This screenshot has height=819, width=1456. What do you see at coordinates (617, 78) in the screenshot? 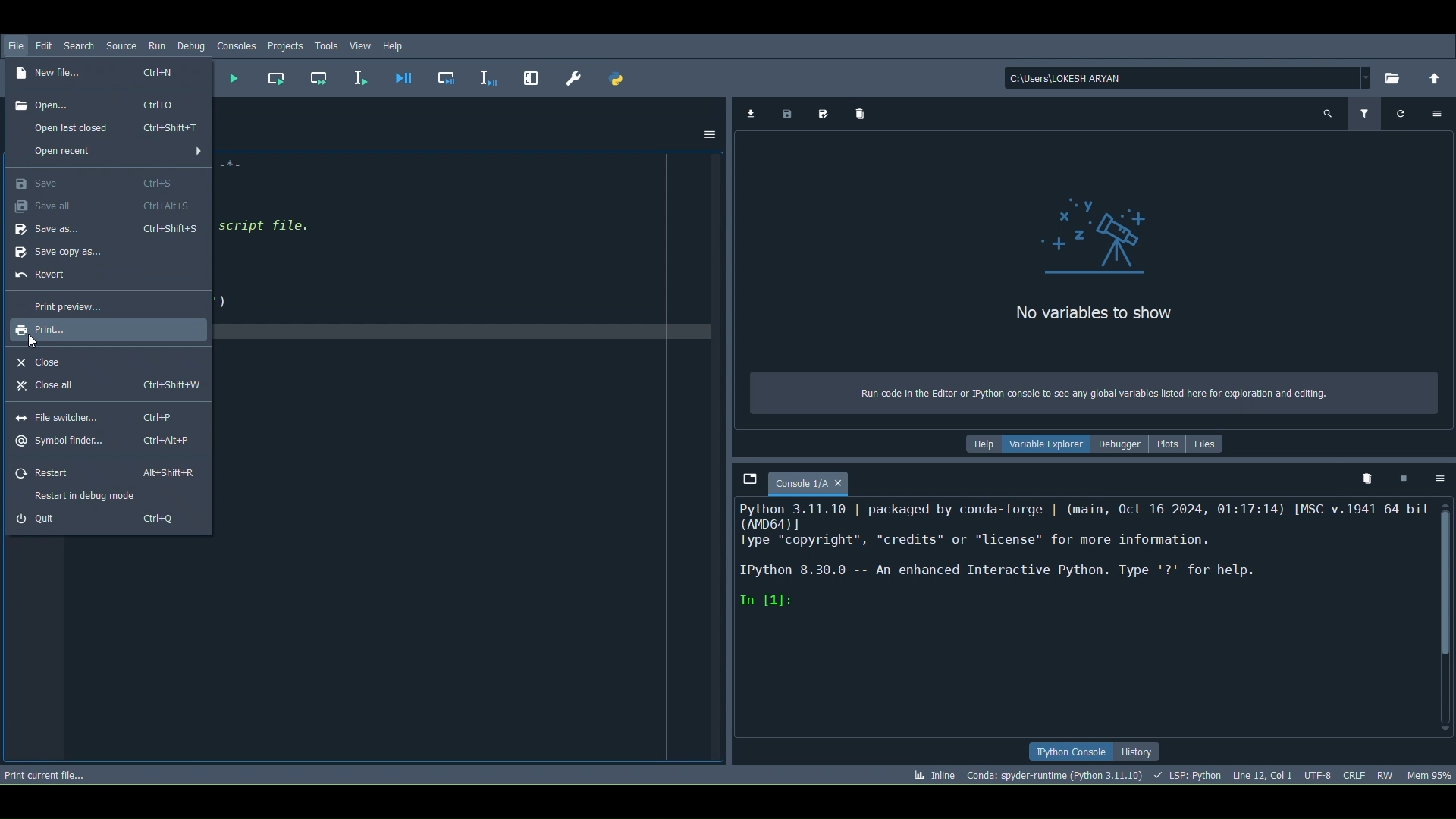
I see `PYTHONPATH manager` at bounding box center [617, 78].